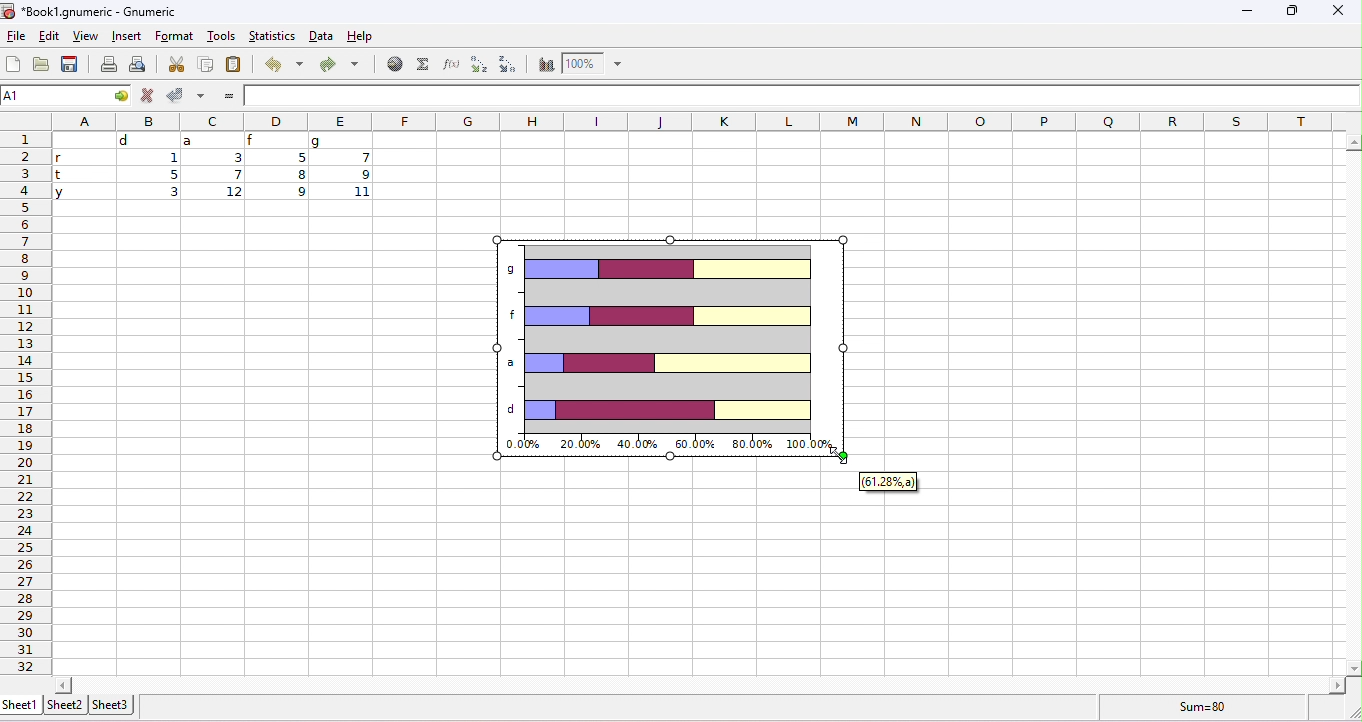  I want to click on edit, so click(51, 37).